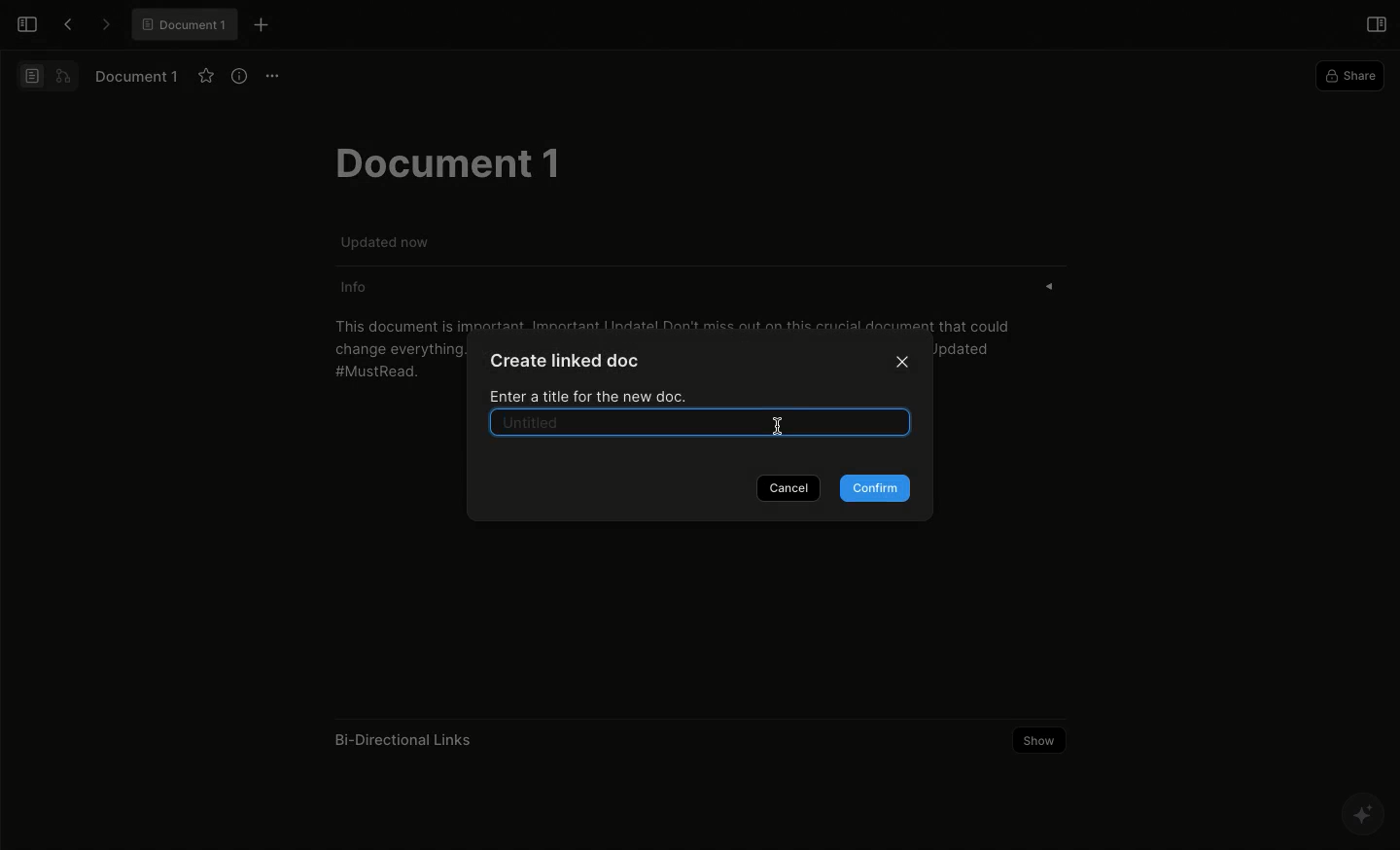  What do you see at coordinates (445, 161) in the screenshot?
I see `Document 1` at bounding box center [445, 161].